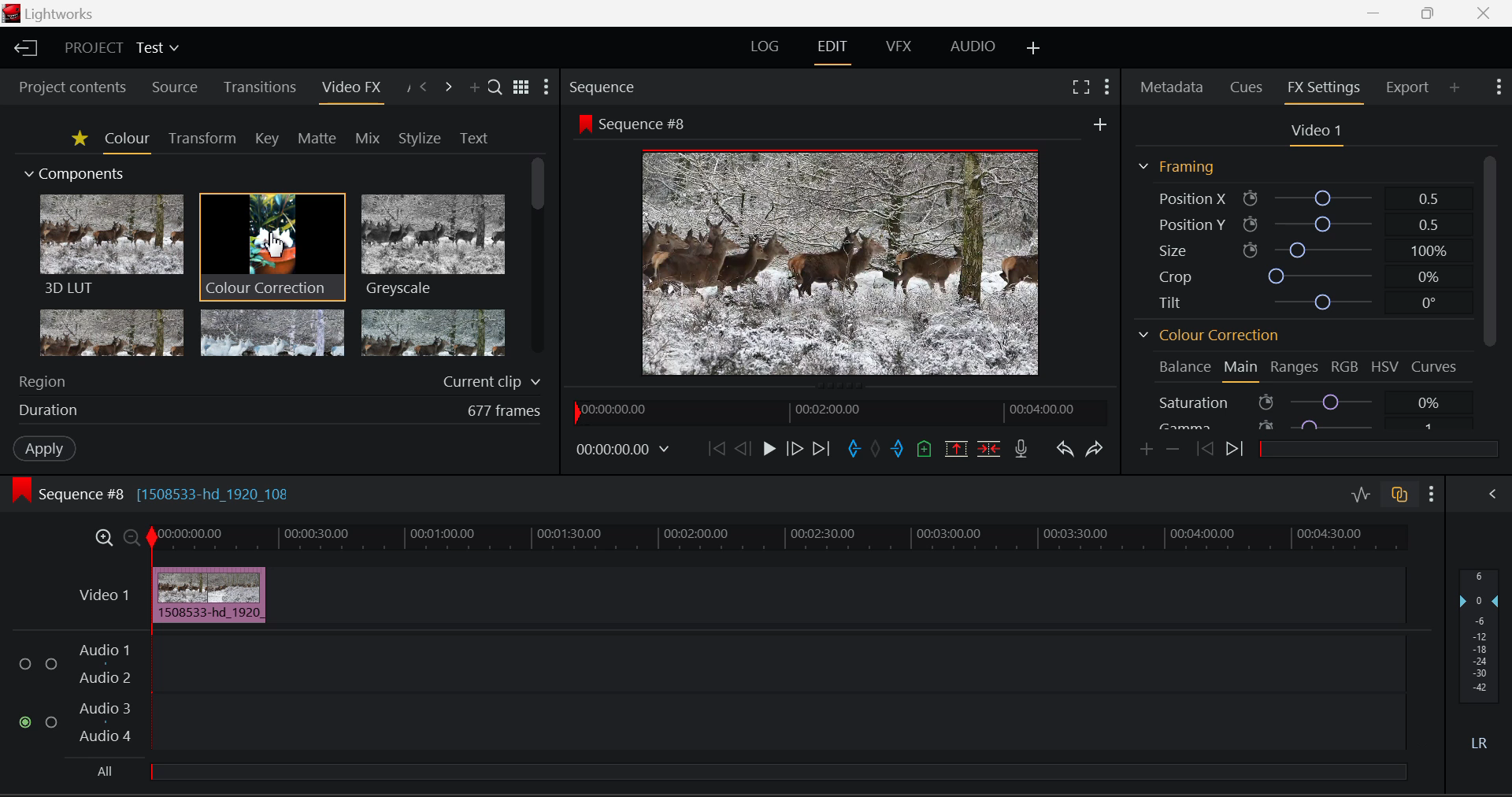  Describe the element at coordinates (1296, 275) in the screenshot. I see `Crop` at that location.